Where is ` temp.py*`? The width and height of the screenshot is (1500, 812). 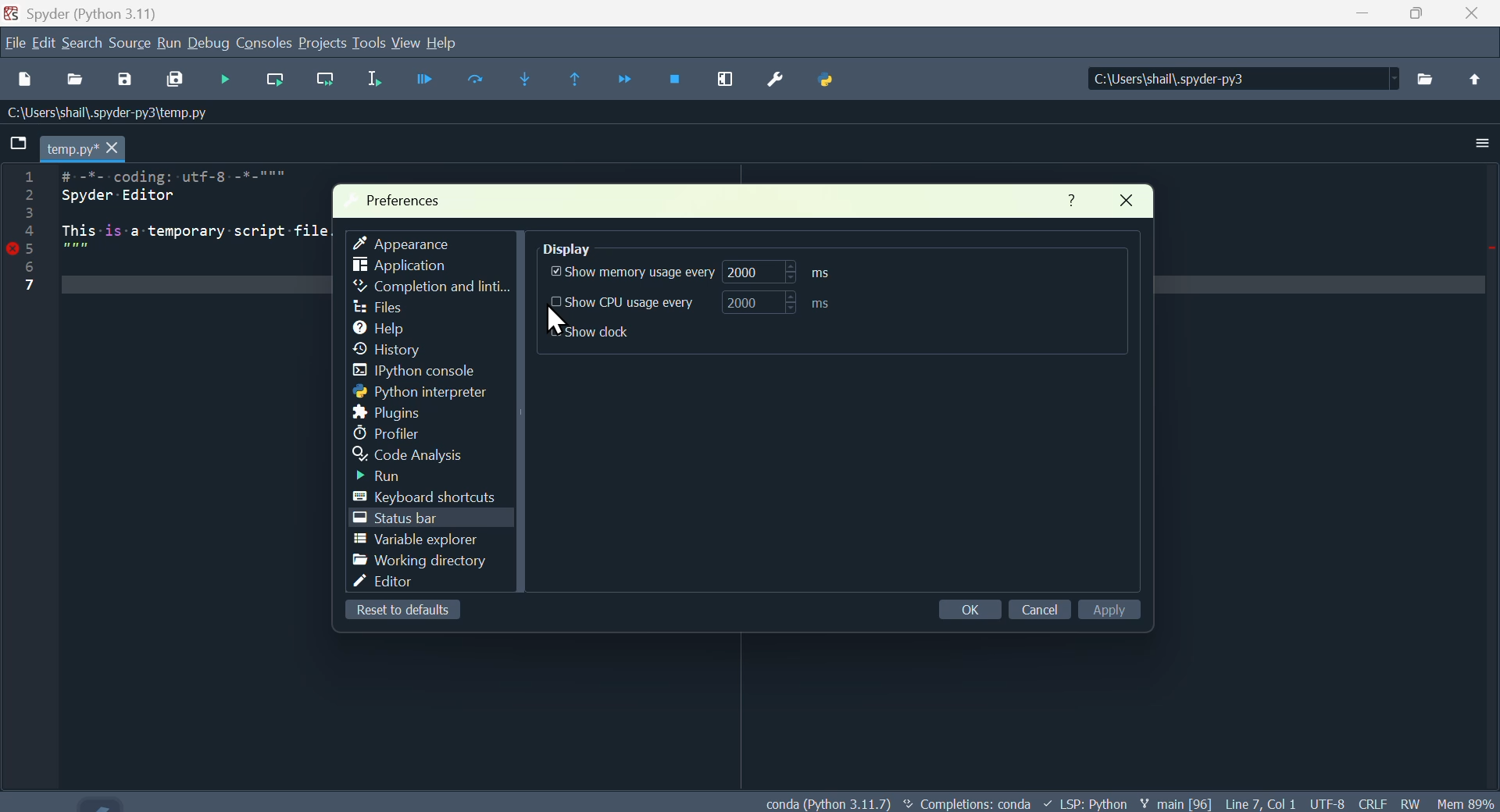  temp.py* is located at coordinates (85, 147).